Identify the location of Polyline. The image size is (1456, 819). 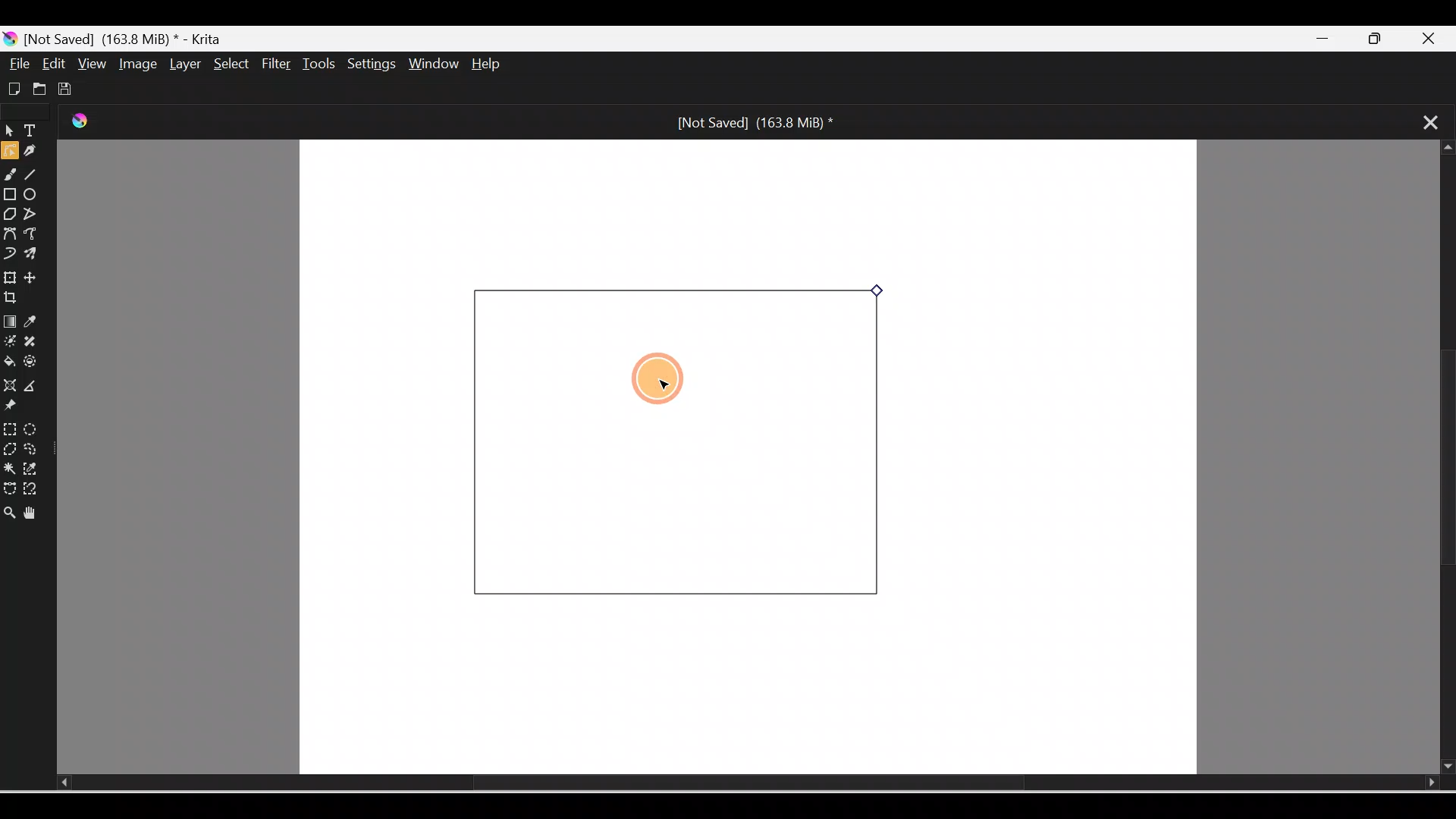
(33, 213).